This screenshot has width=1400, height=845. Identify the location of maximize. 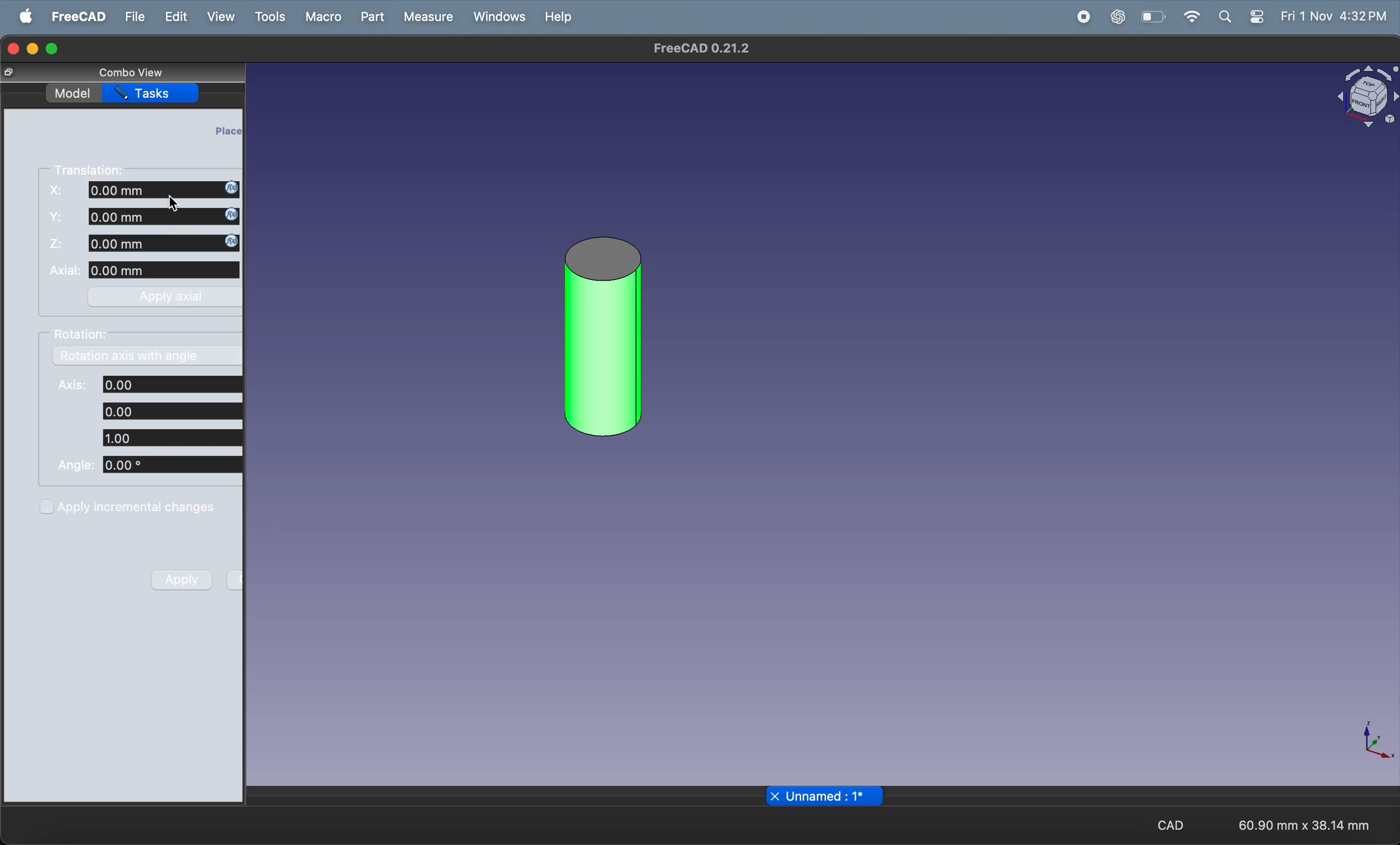
(56, 48).